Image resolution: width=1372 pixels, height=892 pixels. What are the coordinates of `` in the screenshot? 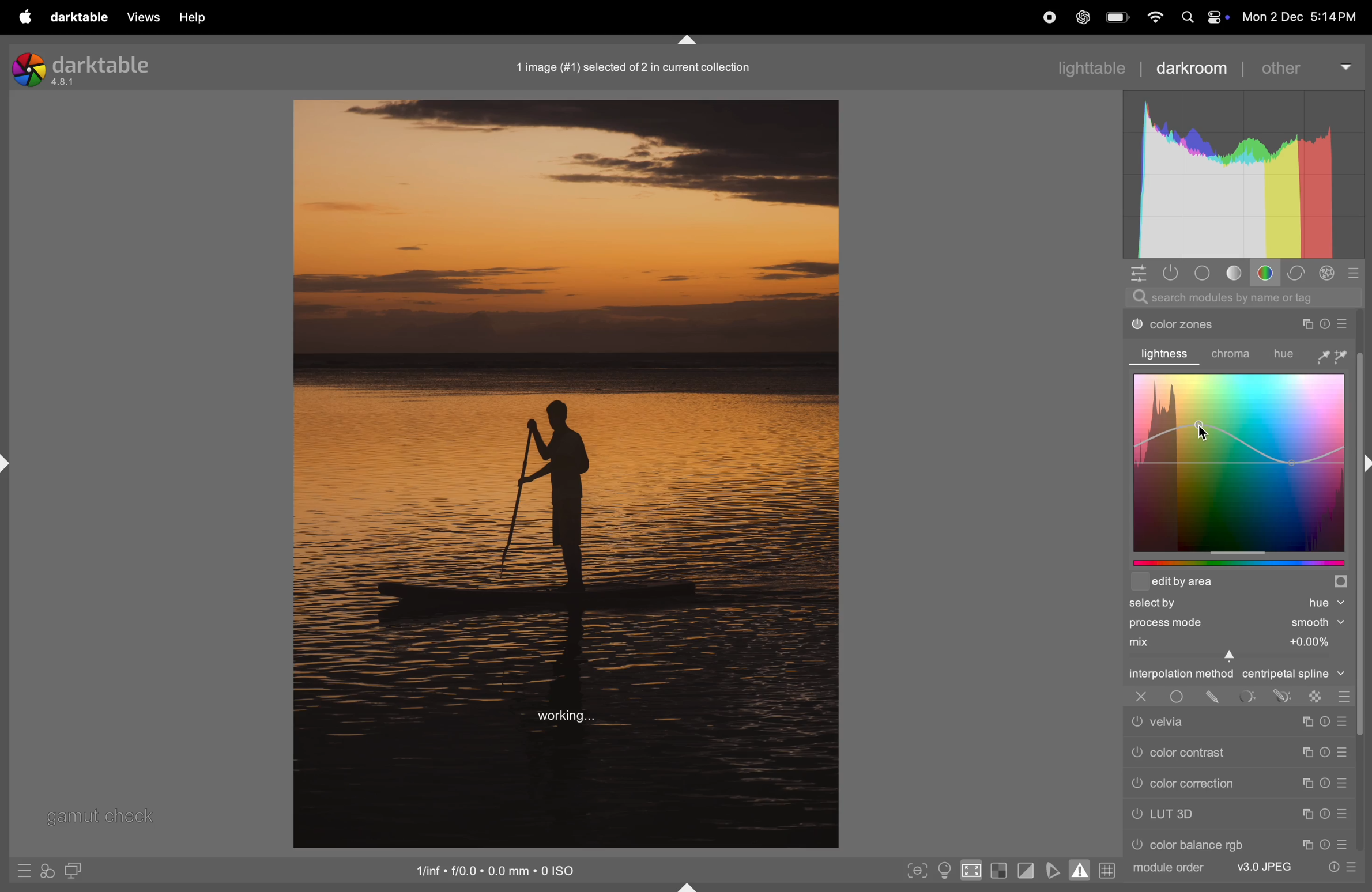 It's located at (1212, 697).